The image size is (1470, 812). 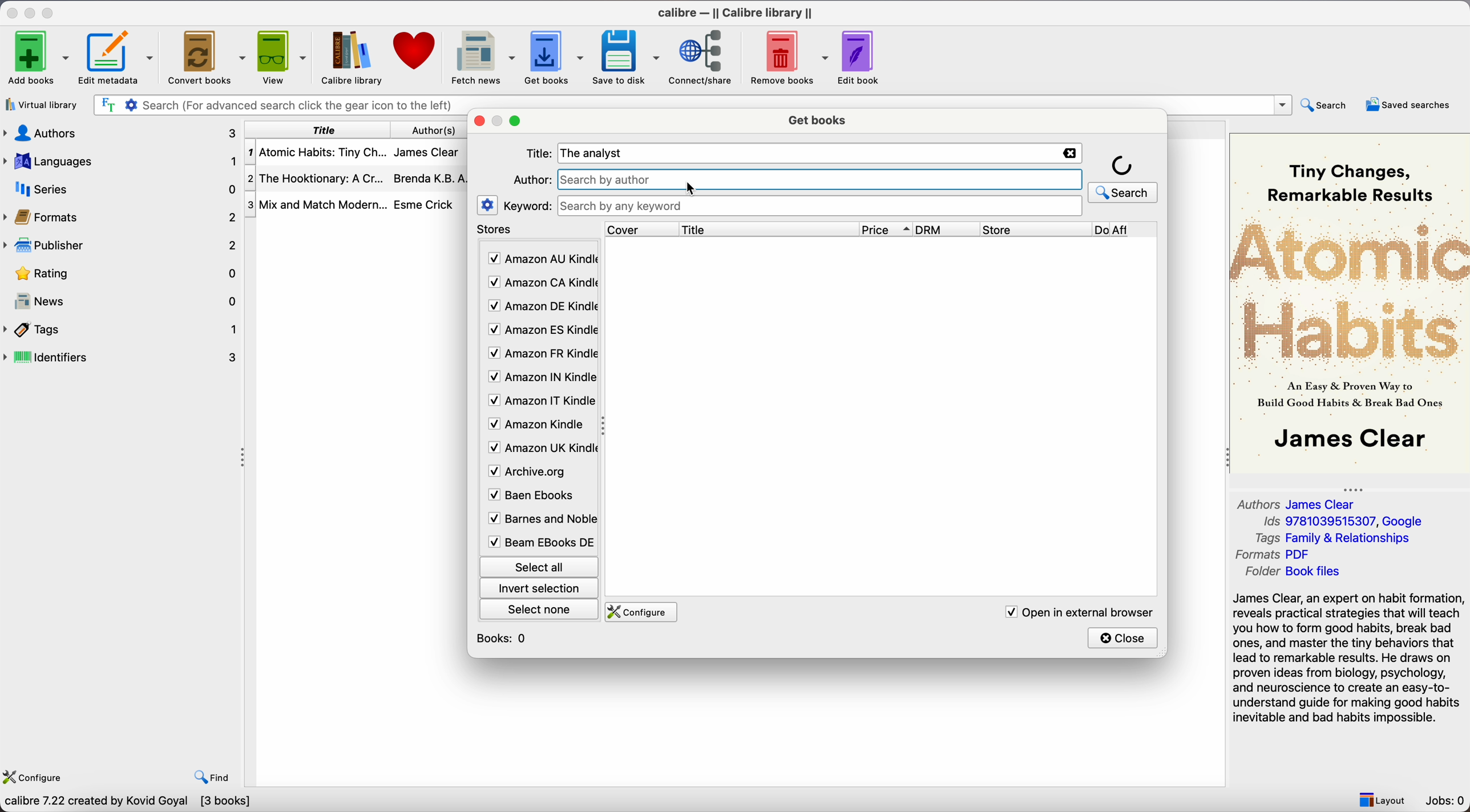 What do you see at coordinates (50, 11) in the screenshot?
I see `maximize` at bounding box center [50, 11].